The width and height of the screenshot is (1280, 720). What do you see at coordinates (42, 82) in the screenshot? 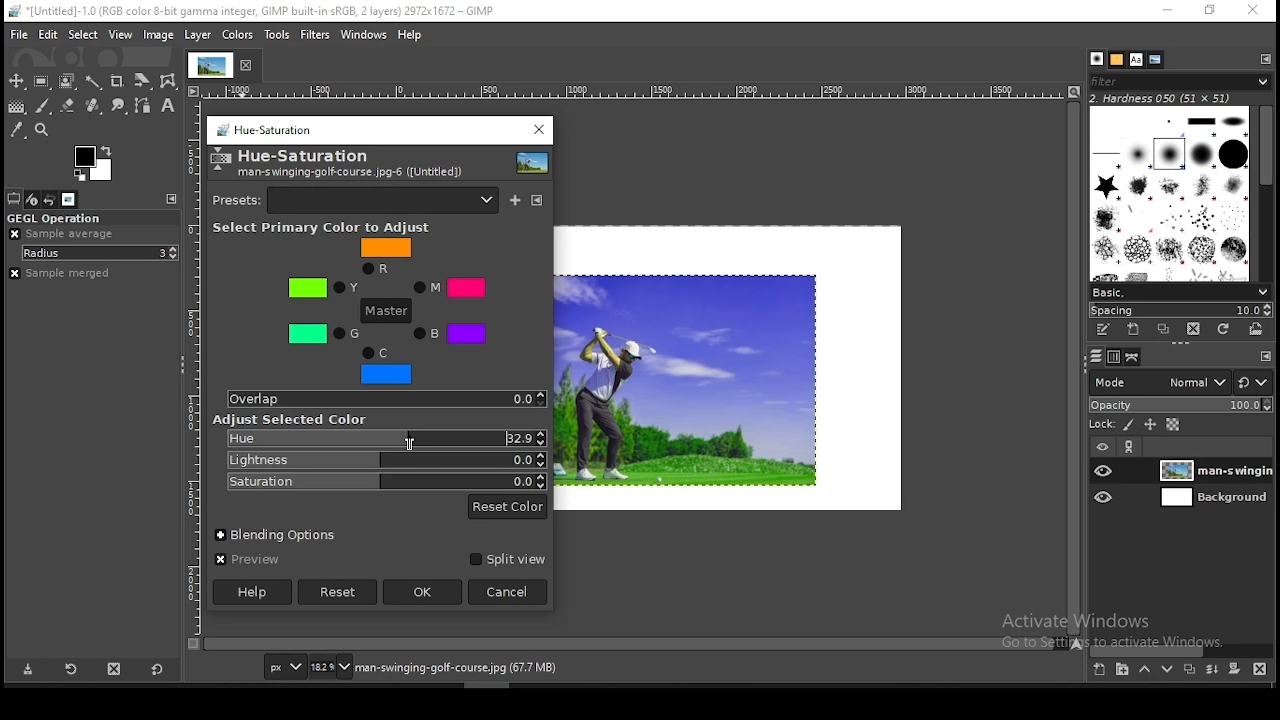
I see `rectangular selection tool` at bounding box center [42, 82].